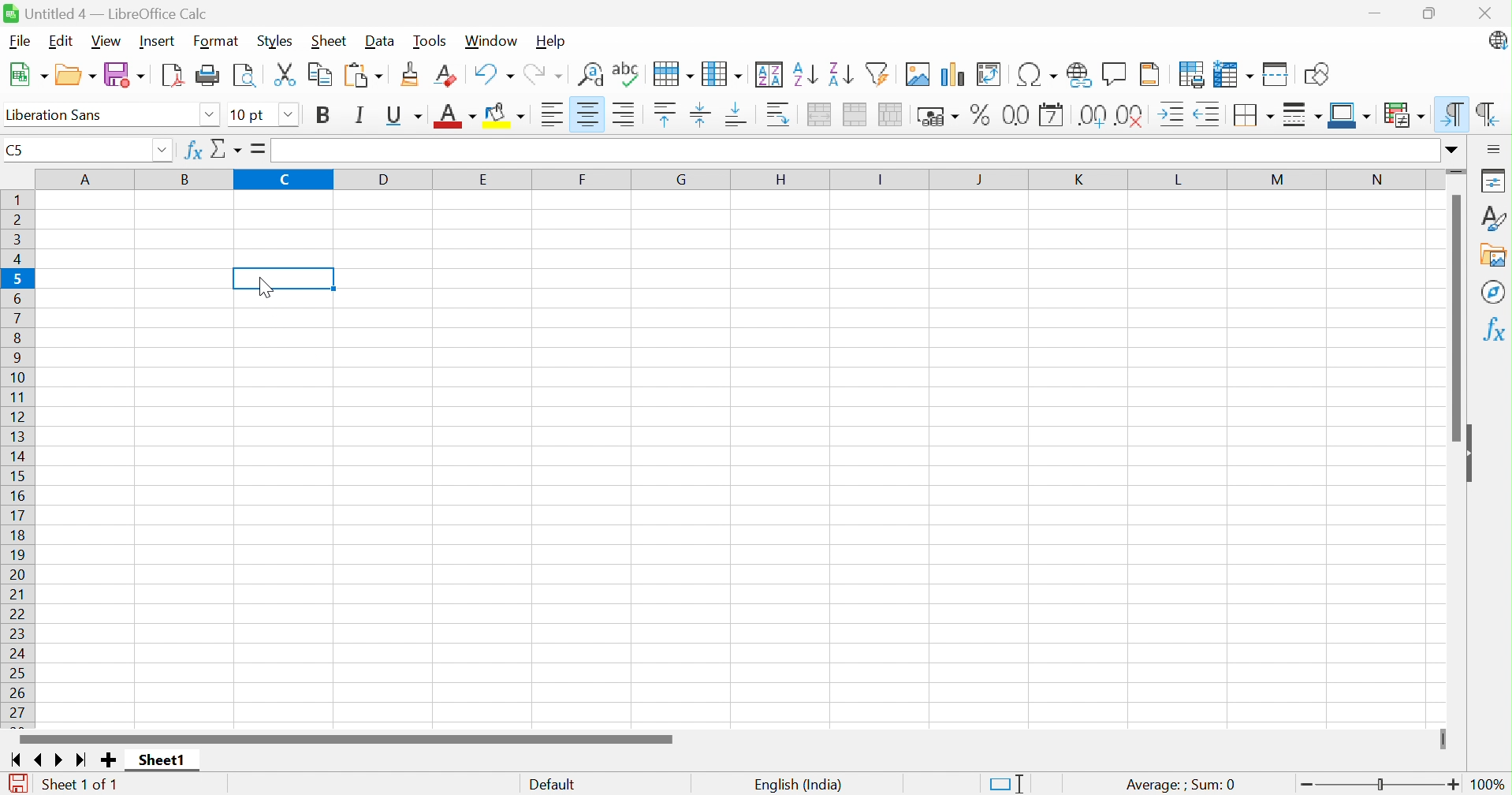 This screenshot has width=1512, height=795. I want to click on Print, so click(210, 74).